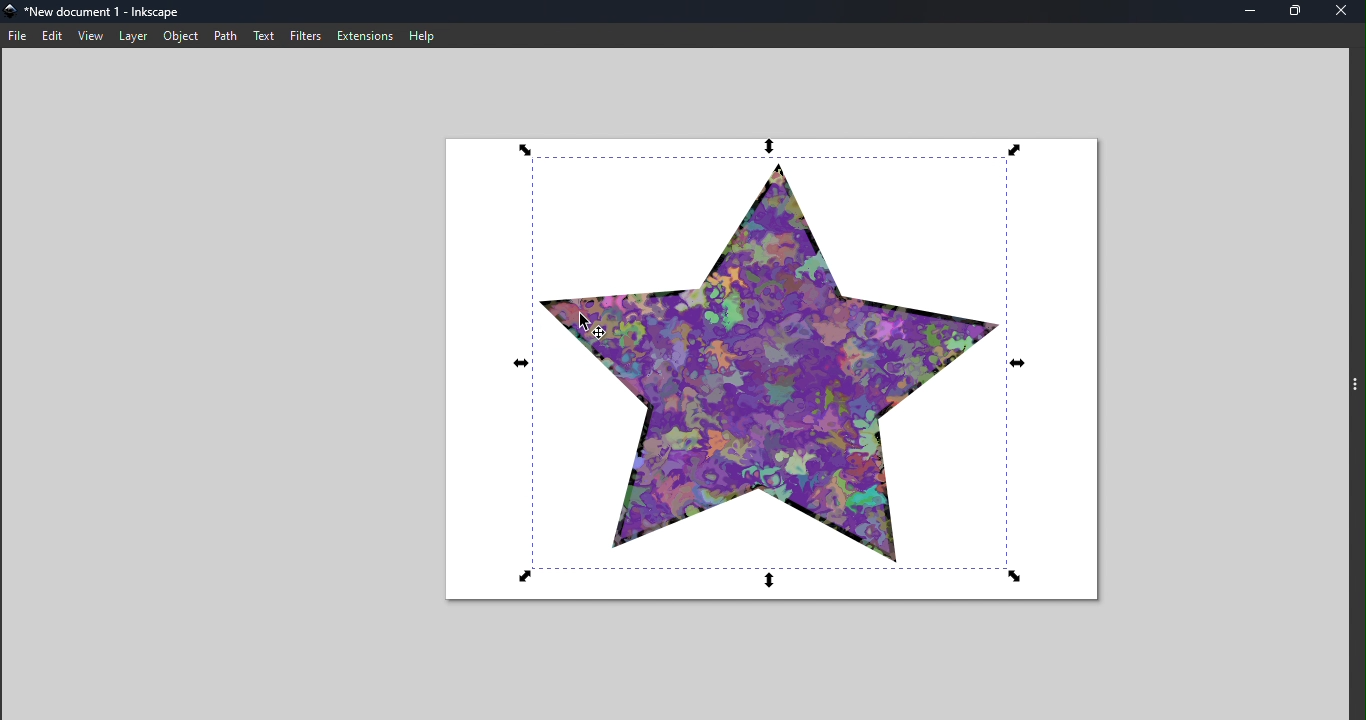 The image size is (1366, 720). I want to click on Help, so click(426, 35).